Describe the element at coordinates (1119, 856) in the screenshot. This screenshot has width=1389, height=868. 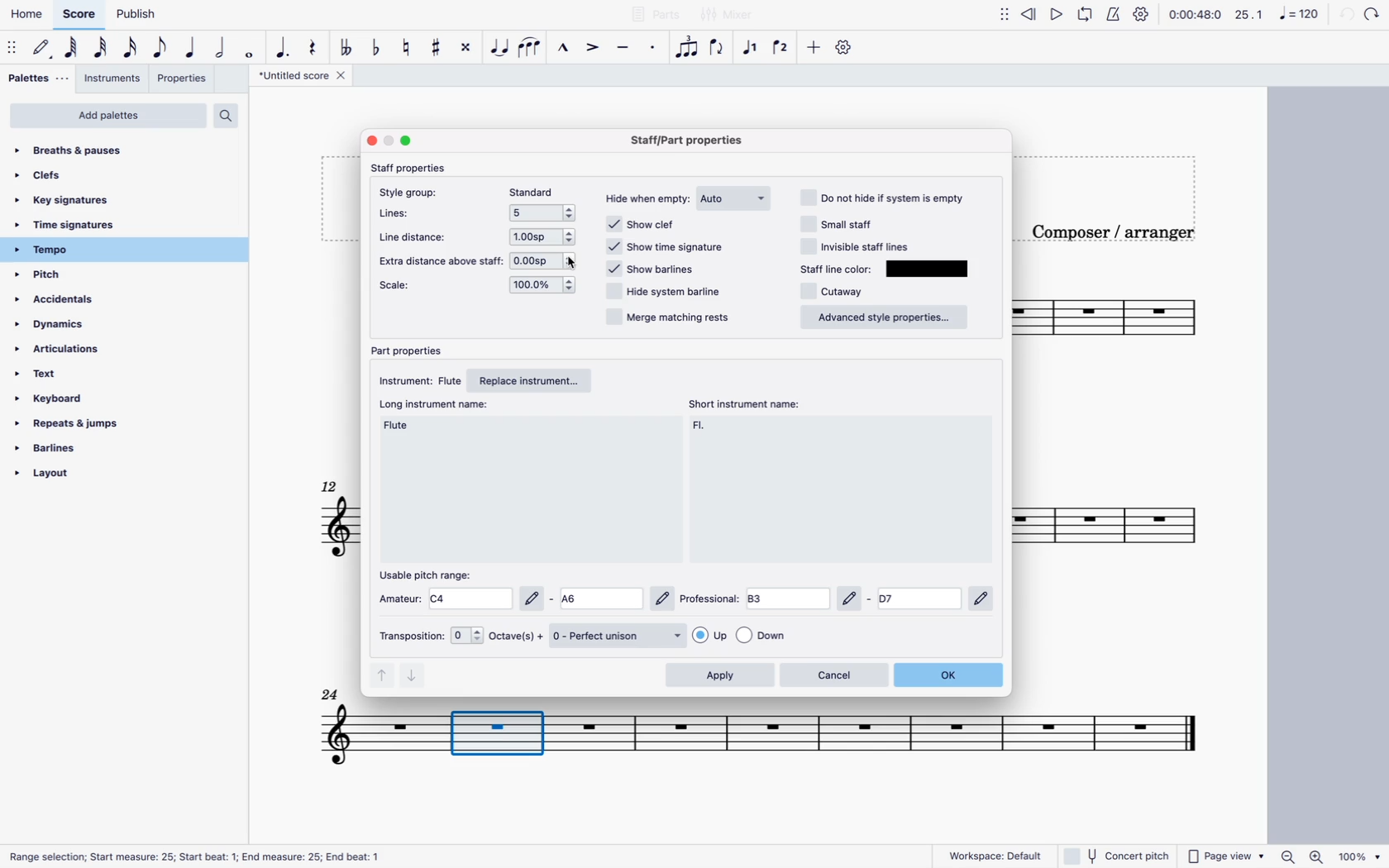
I see `concert pitch` at that location.